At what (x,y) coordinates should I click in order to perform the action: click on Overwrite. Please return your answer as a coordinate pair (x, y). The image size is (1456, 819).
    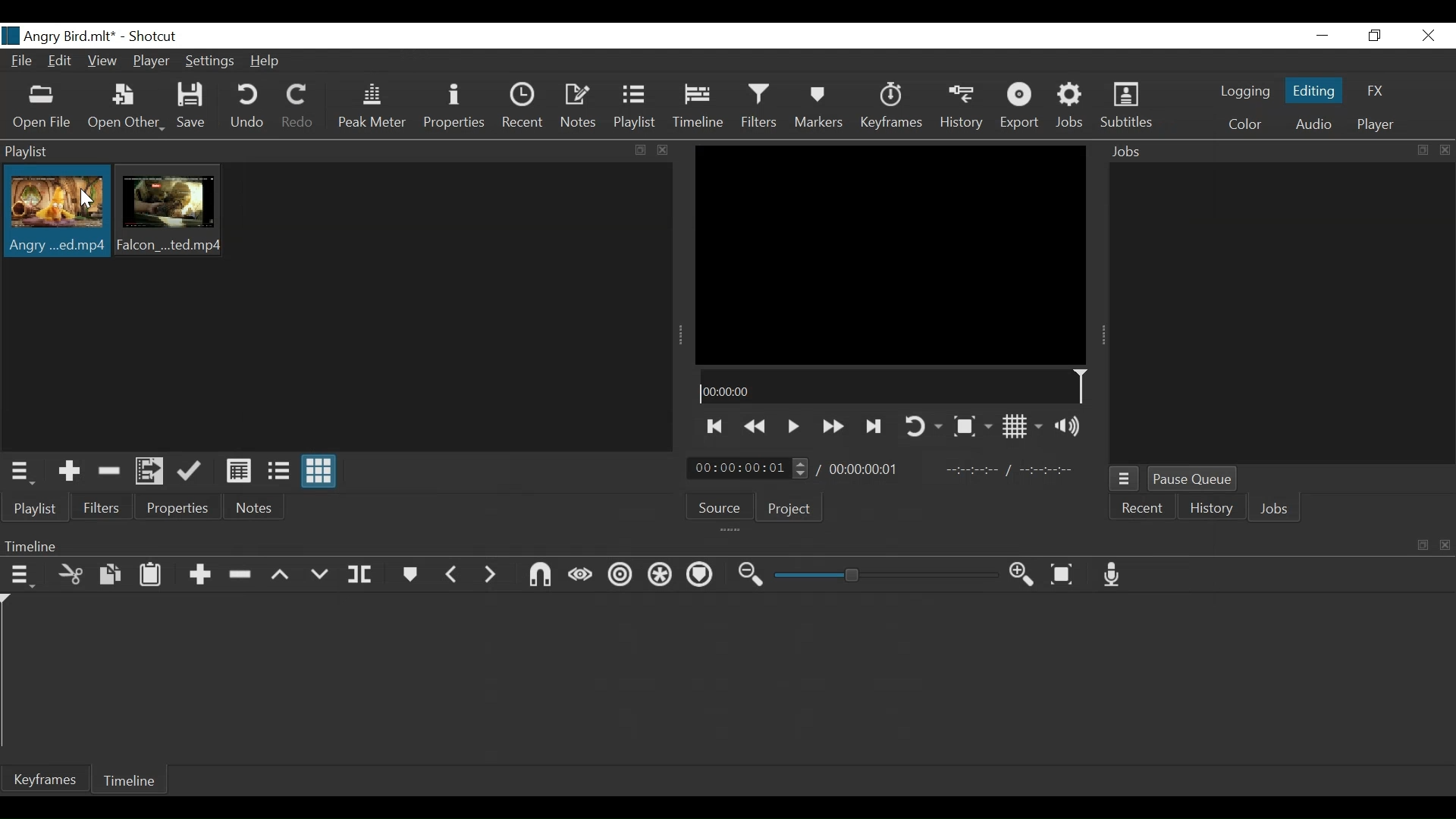
    Looking at the image, I should click on (319, 574).